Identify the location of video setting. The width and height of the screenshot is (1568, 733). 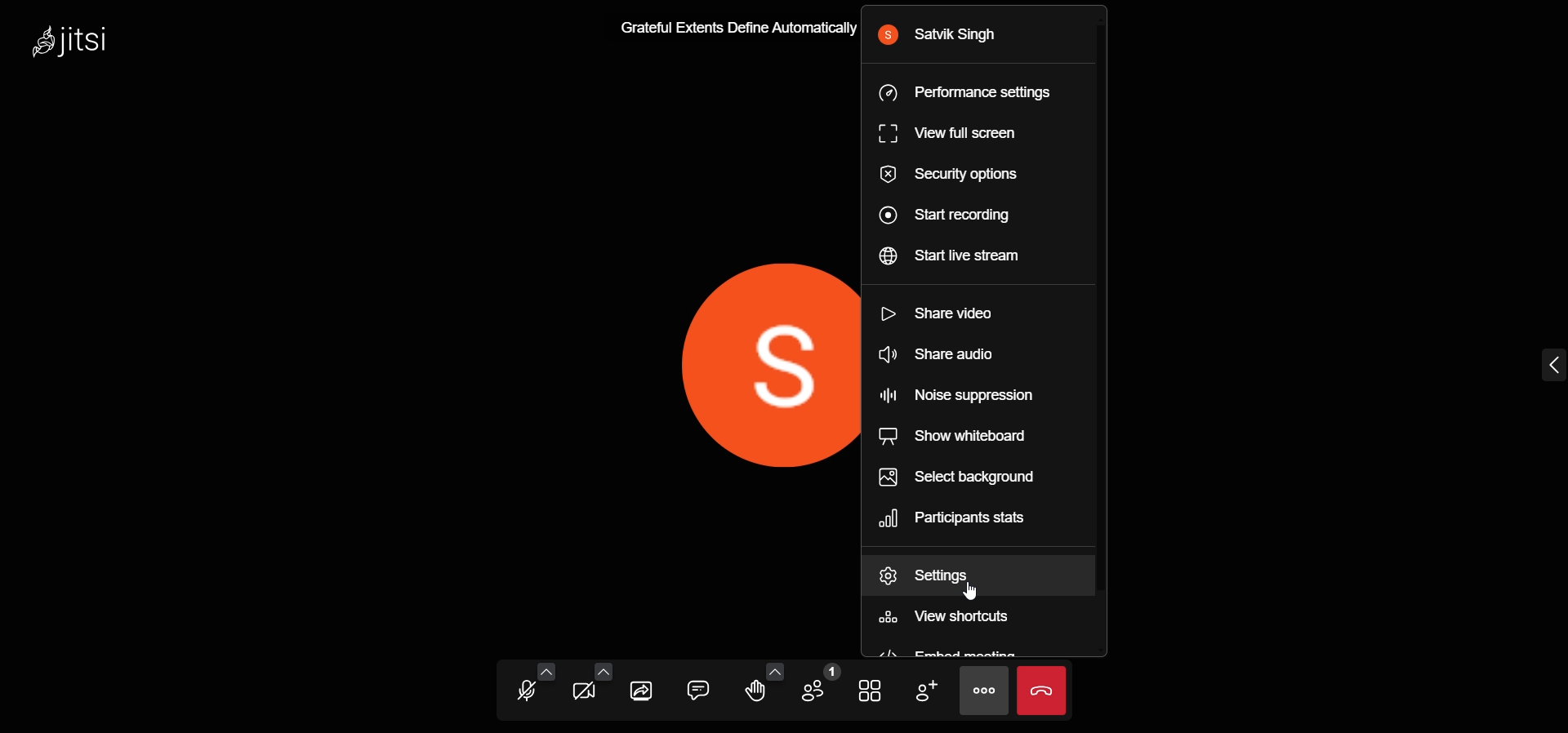
(602, 670).